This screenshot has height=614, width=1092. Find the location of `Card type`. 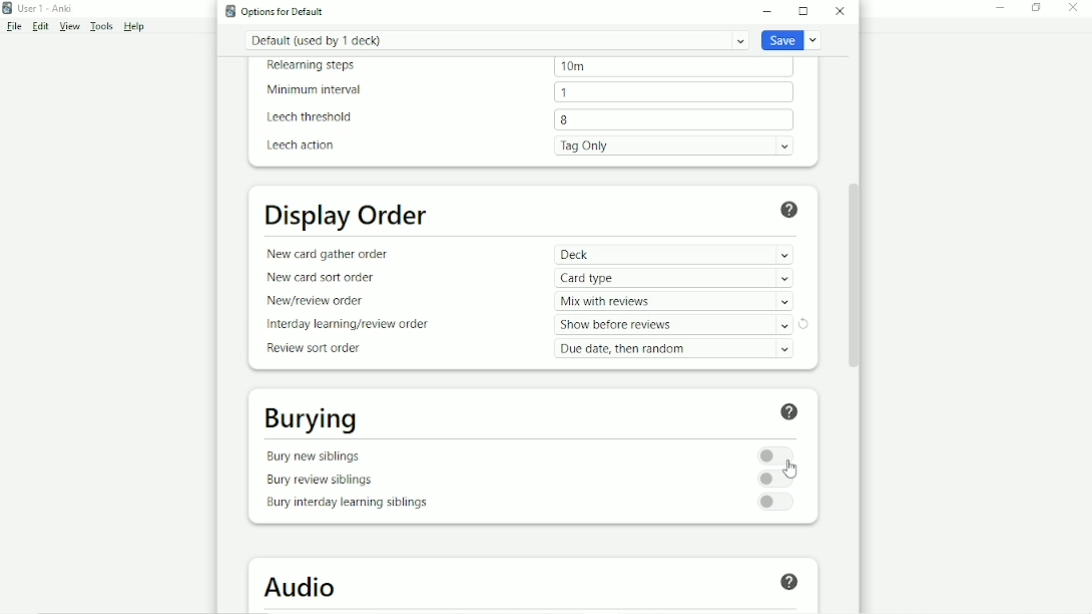

Card type is located at coordinates (677, 278).